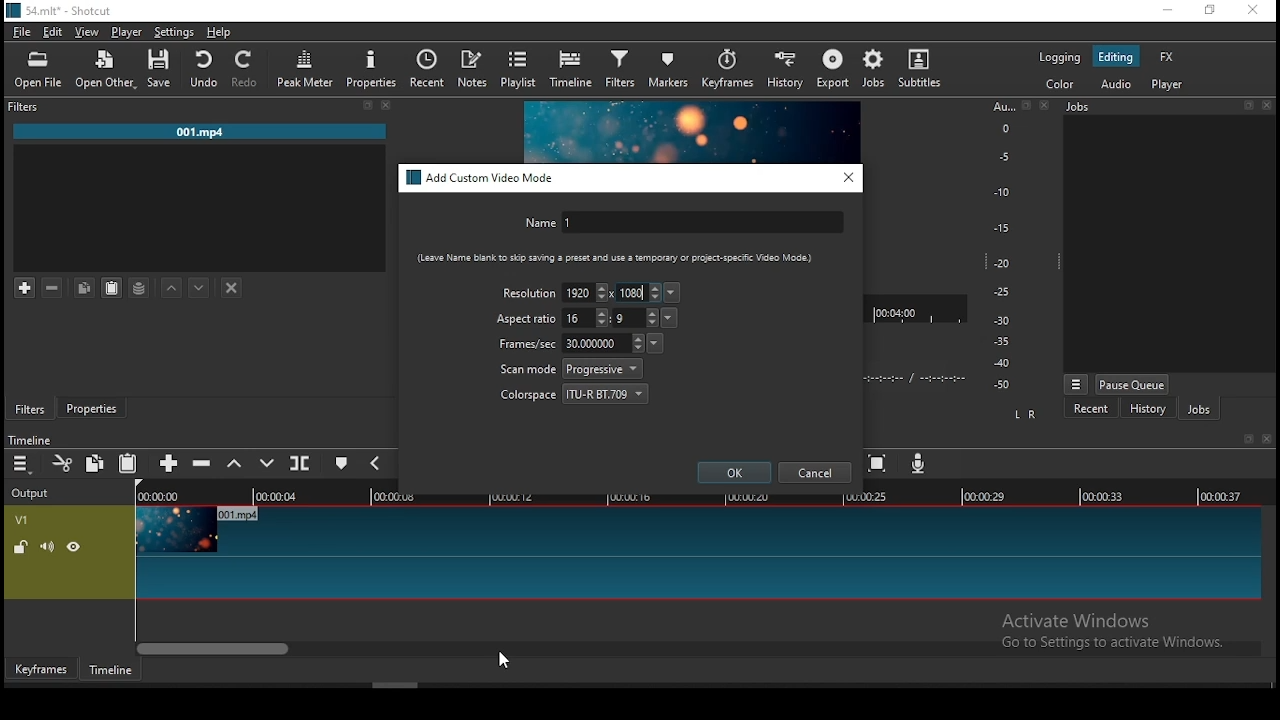 Image resolution: width=1280 pixels, height=720 pixels. What do you see at coordinates (1077, 386) in the screenshot?
I see `jobs menu` at bounding box center [1077, 386].